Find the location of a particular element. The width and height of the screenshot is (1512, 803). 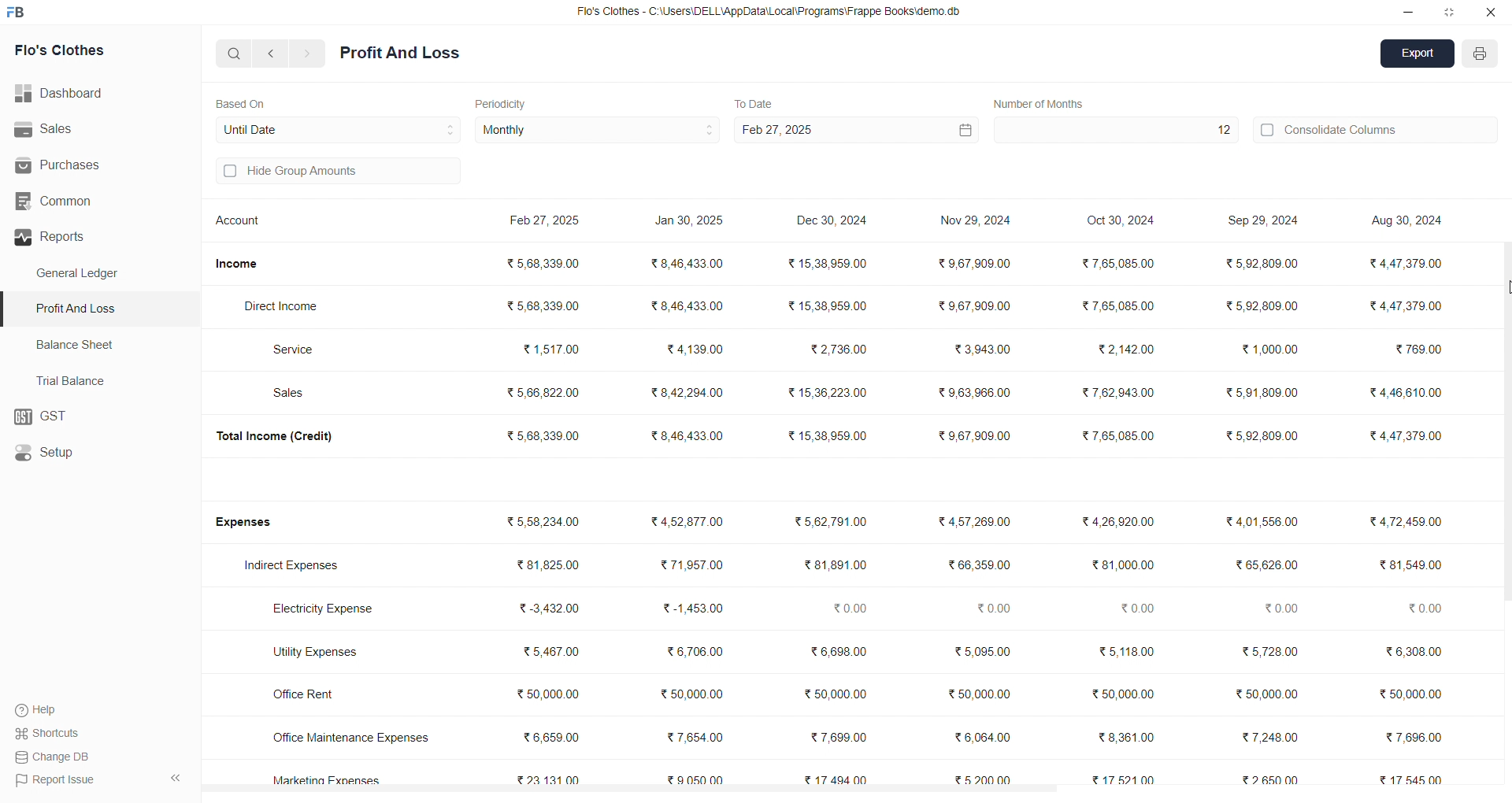

Change DB is located at coordinates (56, 757).